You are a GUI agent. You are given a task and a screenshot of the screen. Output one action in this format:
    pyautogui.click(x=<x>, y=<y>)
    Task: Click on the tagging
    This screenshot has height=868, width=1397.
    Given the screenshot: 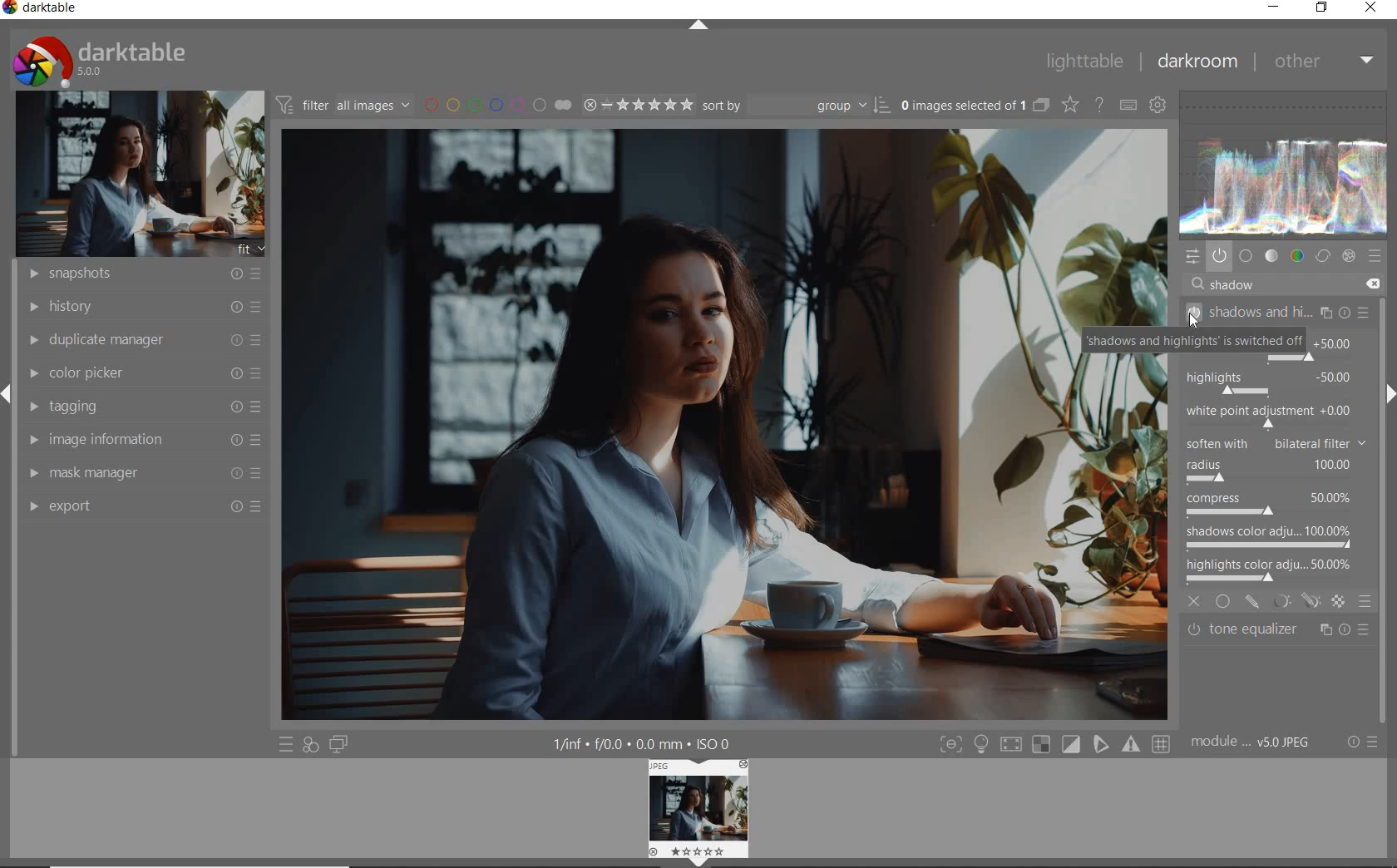 What is the action you would take?
    pyautogui.click(x=142, y=407)
    